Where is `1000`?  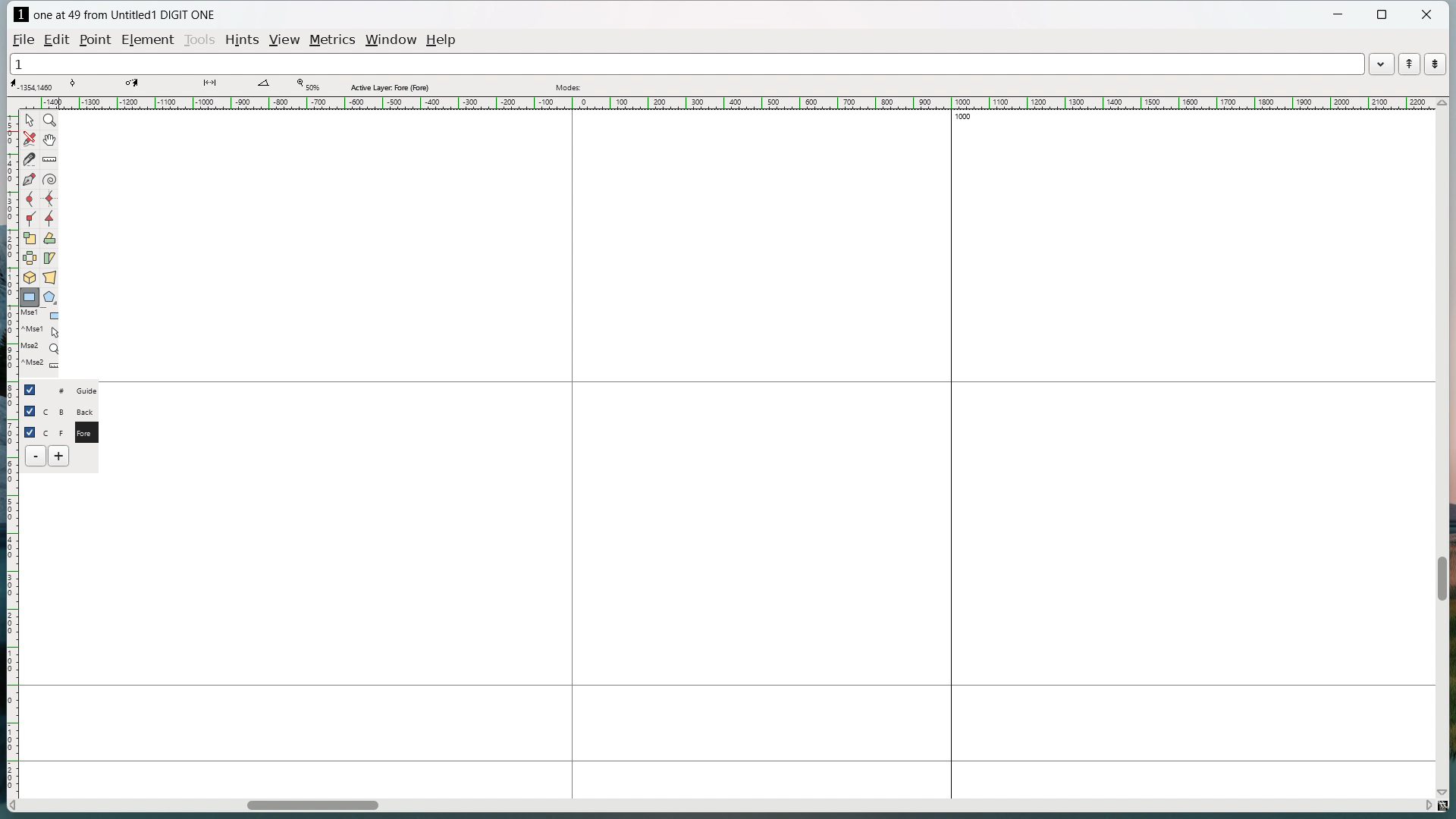 1000 is located at coordinates (970, 118).